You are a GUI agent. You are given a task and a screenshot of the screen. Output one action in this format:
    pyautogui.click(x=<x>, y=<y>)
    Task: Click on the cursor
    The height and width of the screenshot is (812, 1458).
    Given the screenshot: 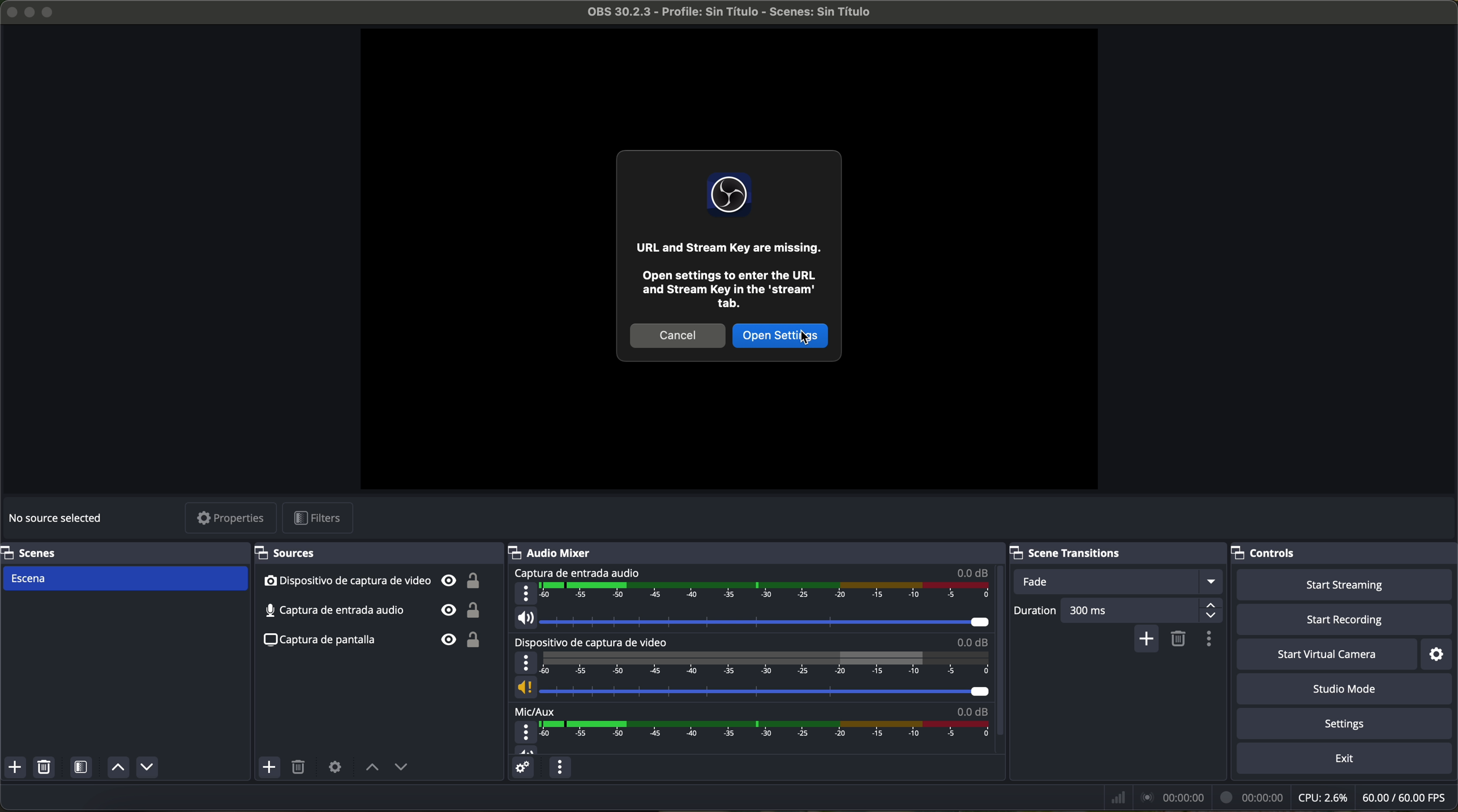 What is the action you would take?
    pyautogui.click(x=807, y=338)
    